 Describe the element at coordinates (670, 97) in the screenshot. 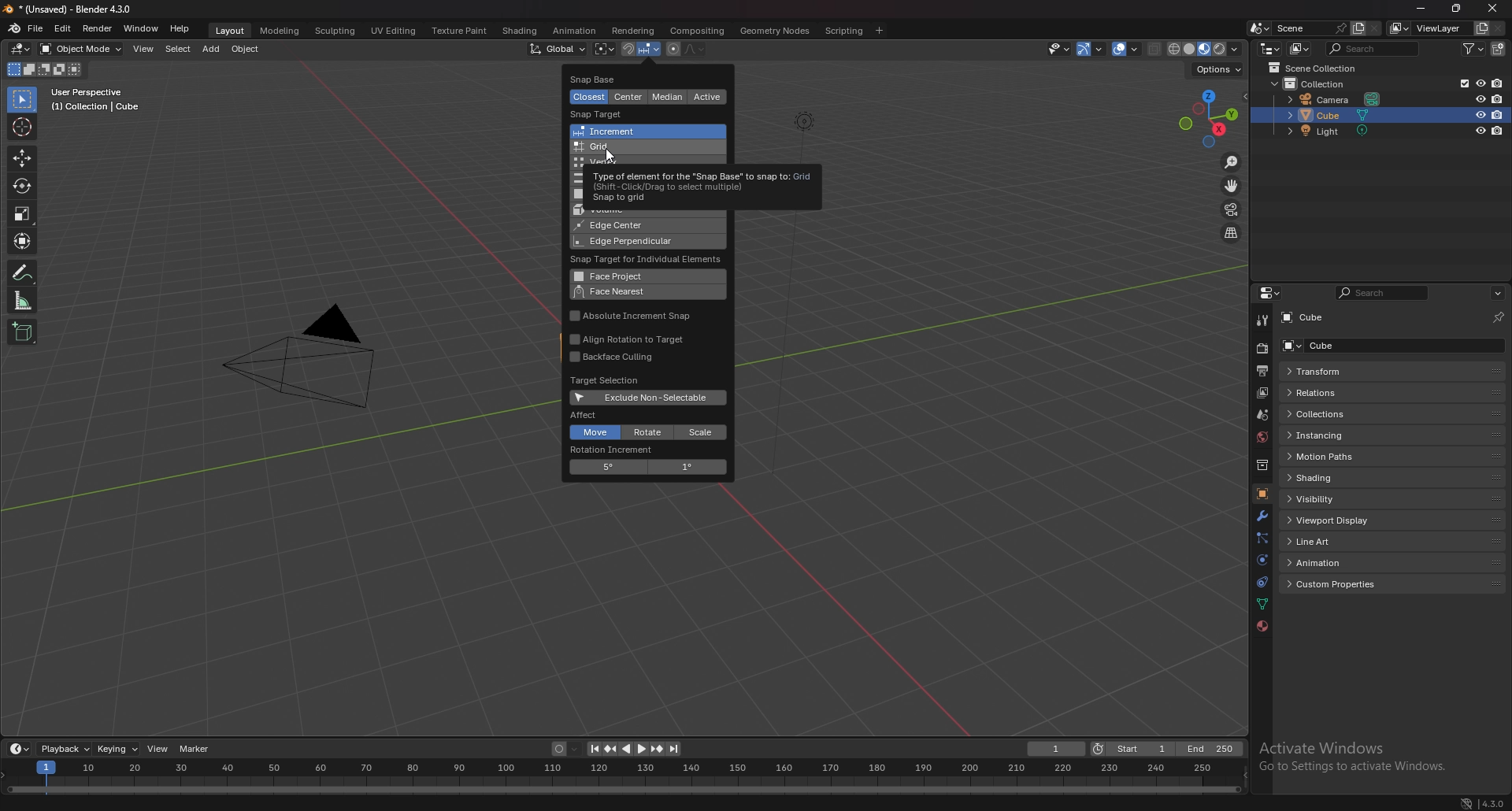

I see `median` at that location.